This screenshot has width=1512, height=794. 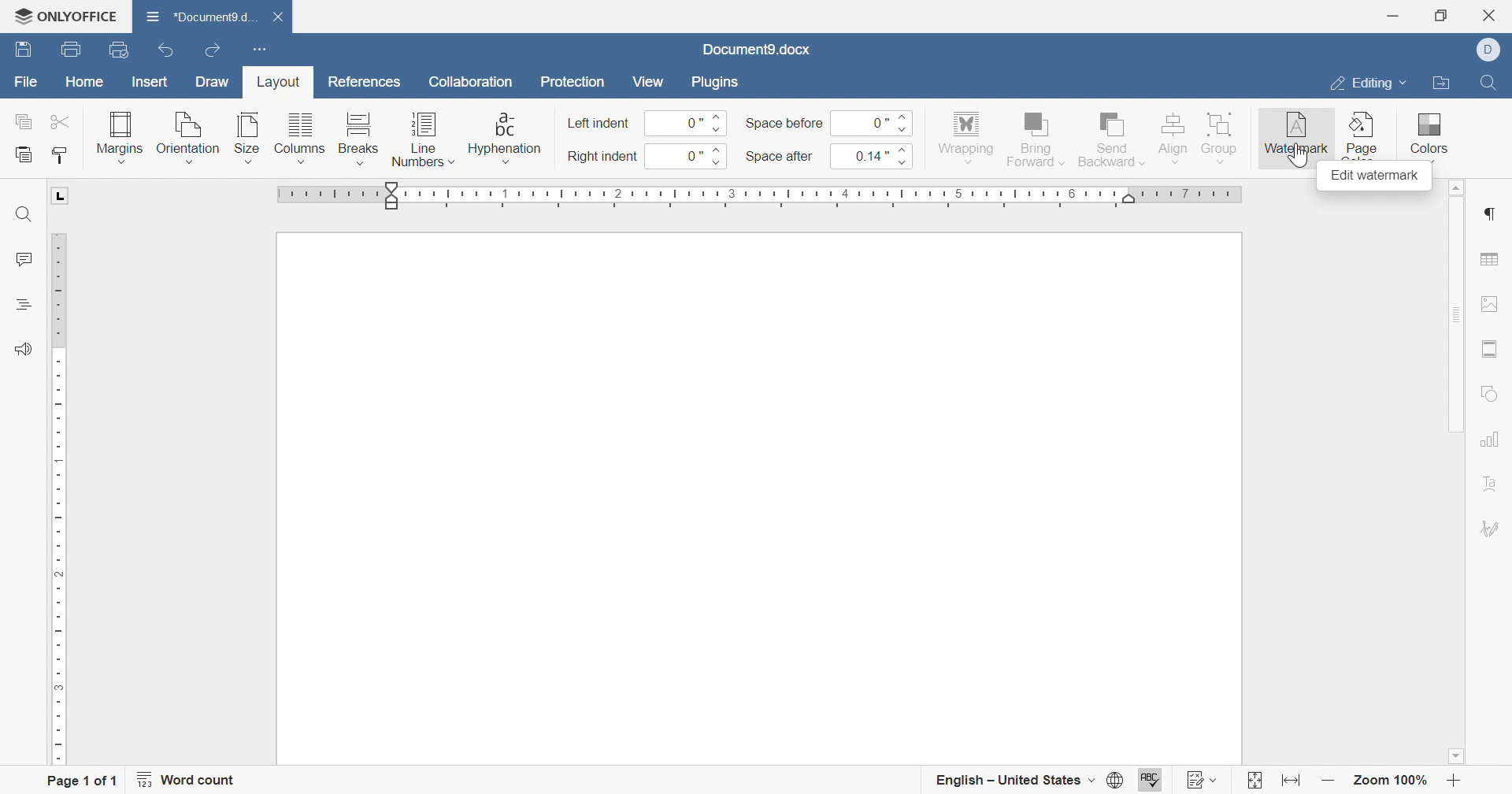 What do you see at coordinates (1489, 261) in the screenshot?
I see `table settings` at bounding box center [1489, 261].